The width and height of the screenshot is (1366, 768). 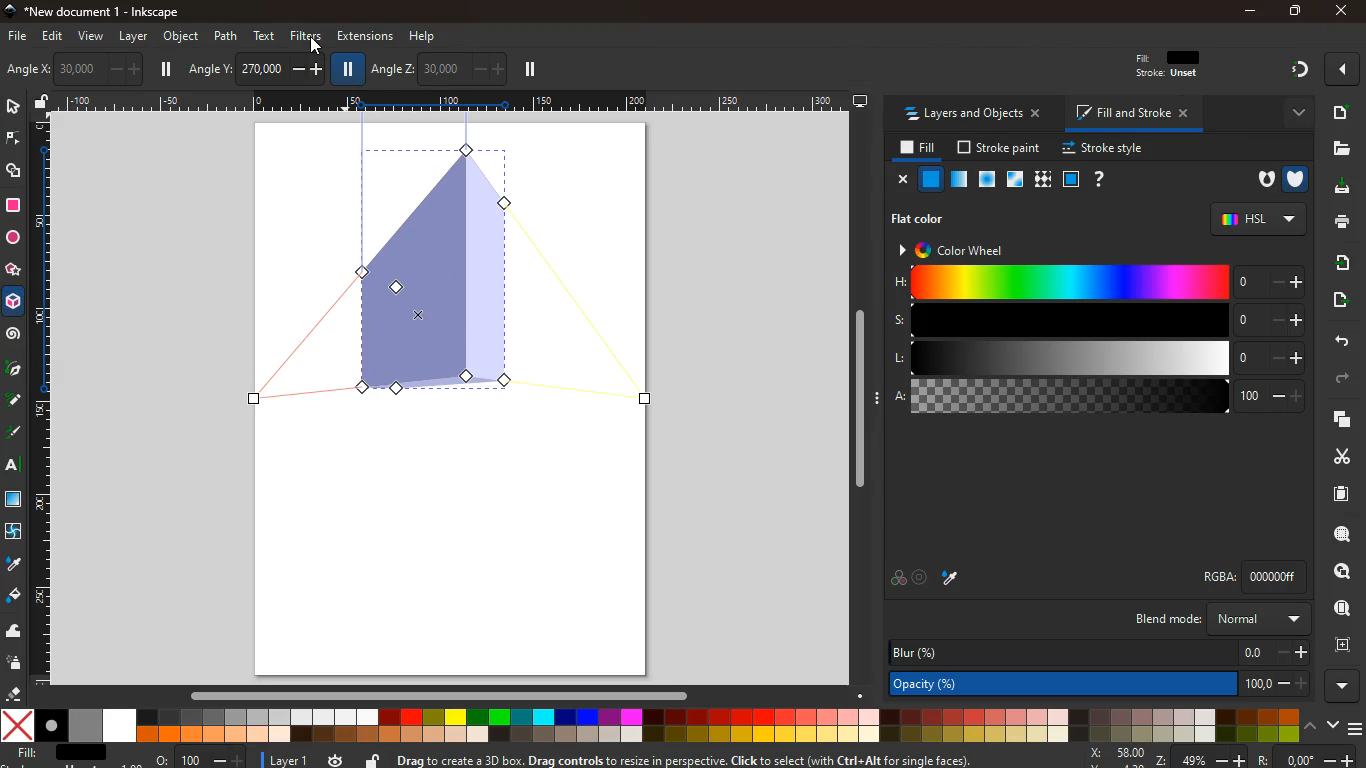 I want to click on a, so click(x=1098, y=399).